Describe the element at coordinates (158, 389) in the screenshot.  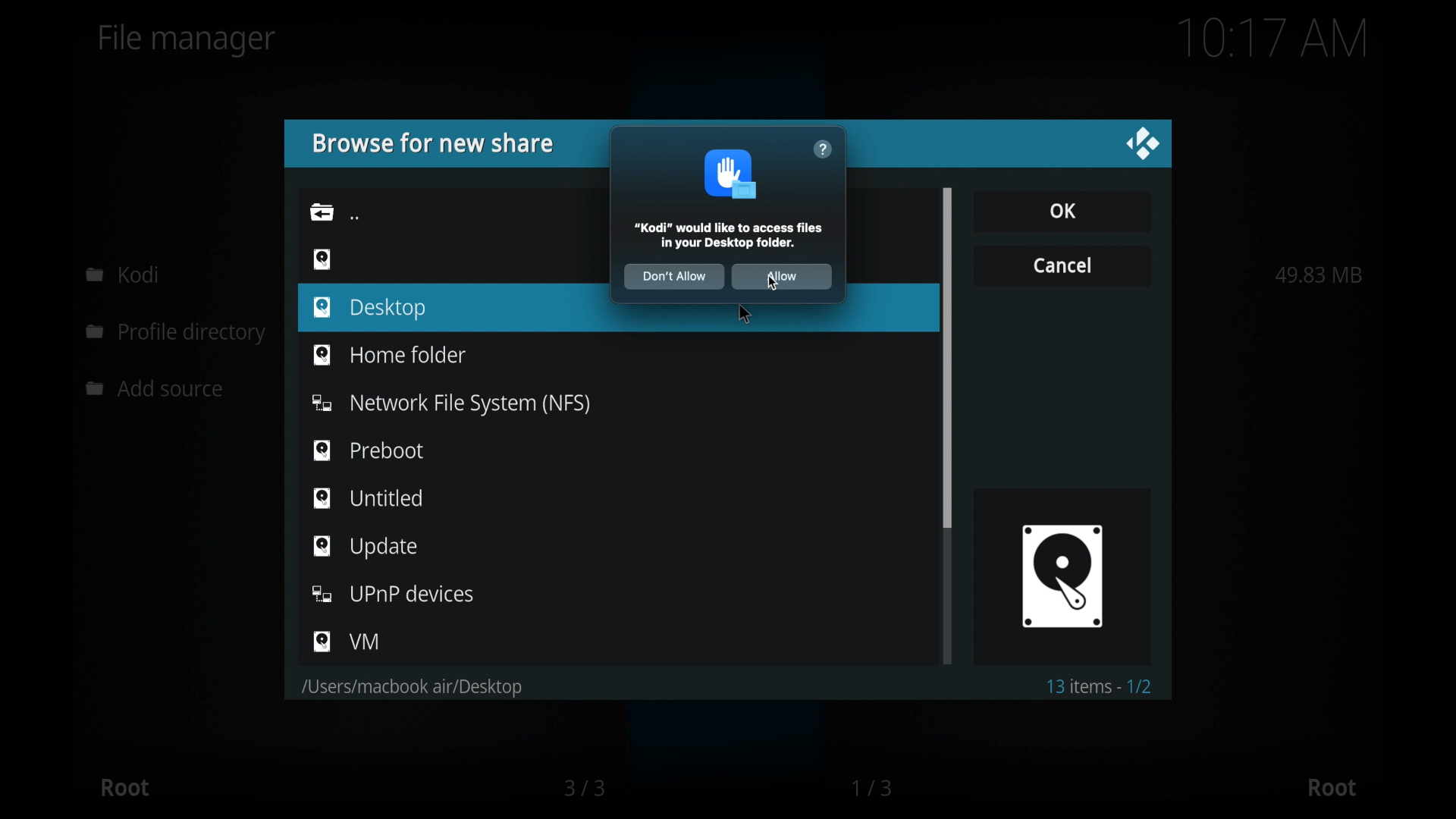
I see `add source` at that location.